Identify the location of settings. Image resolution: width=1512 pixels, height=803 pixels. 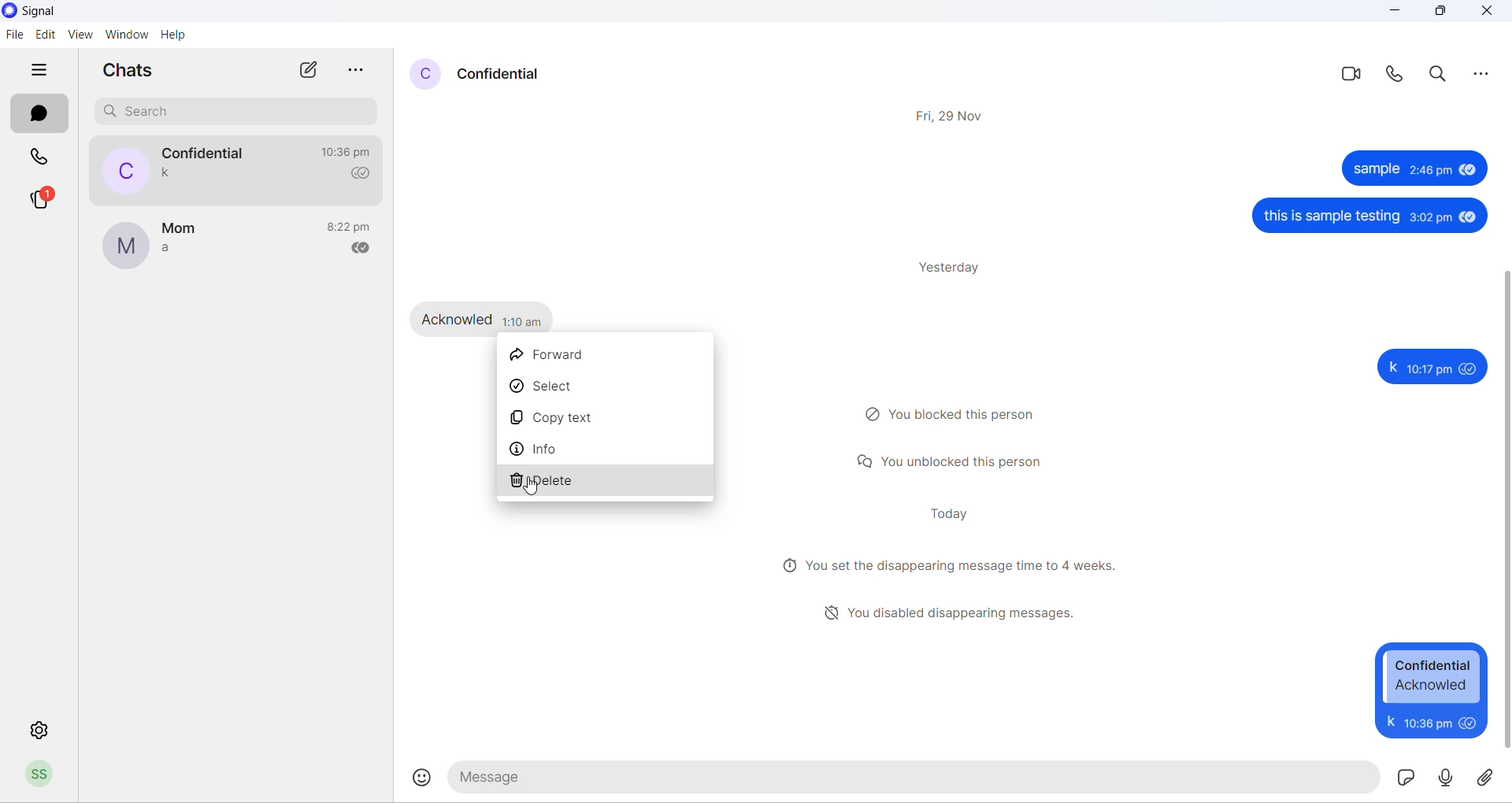
(42, 727).